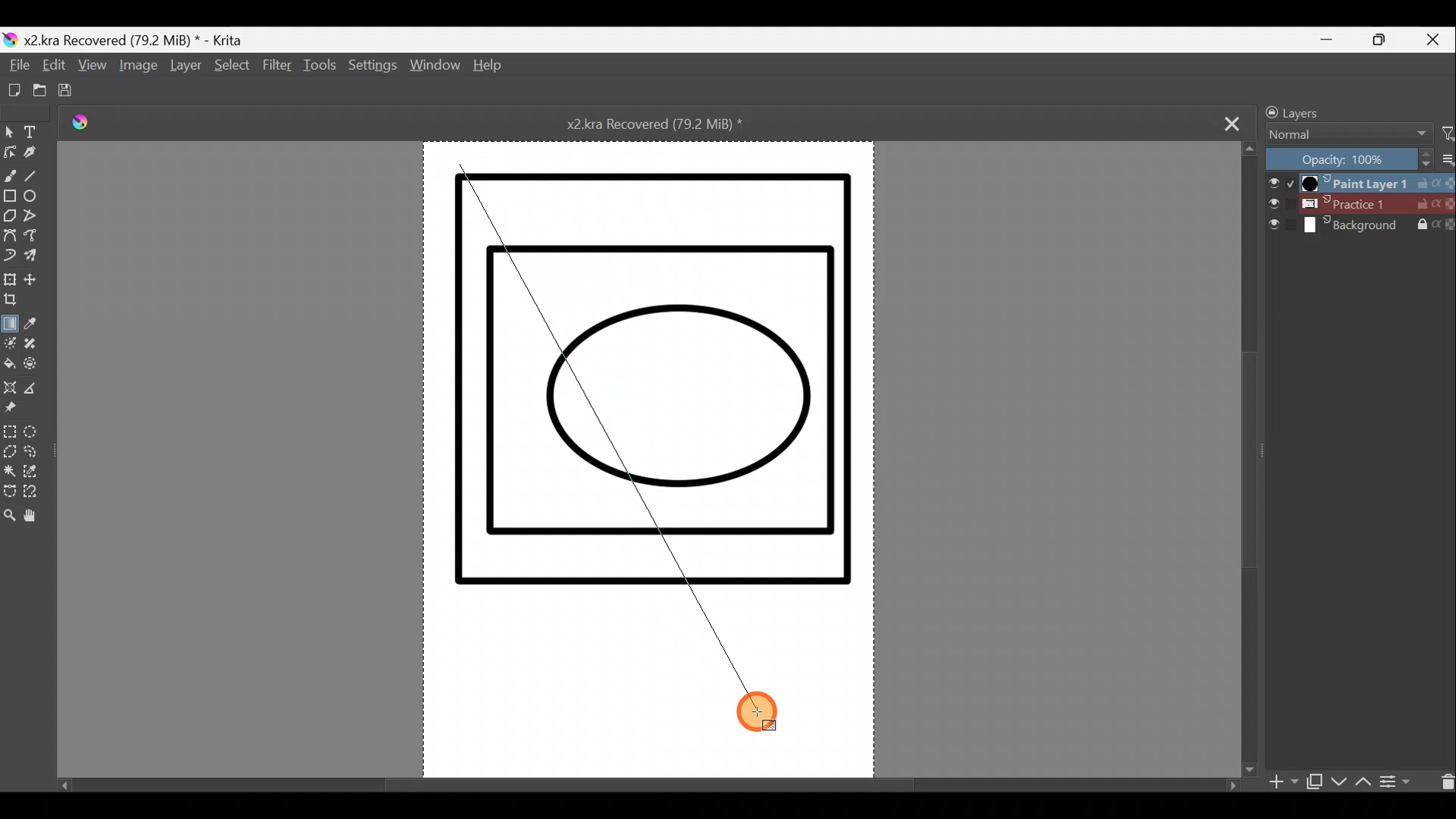 The image size is (1456, 819). What do you see at coordinates (374, 70) in the screenshot?
I see `Settings` at bounding box center [374, 70].